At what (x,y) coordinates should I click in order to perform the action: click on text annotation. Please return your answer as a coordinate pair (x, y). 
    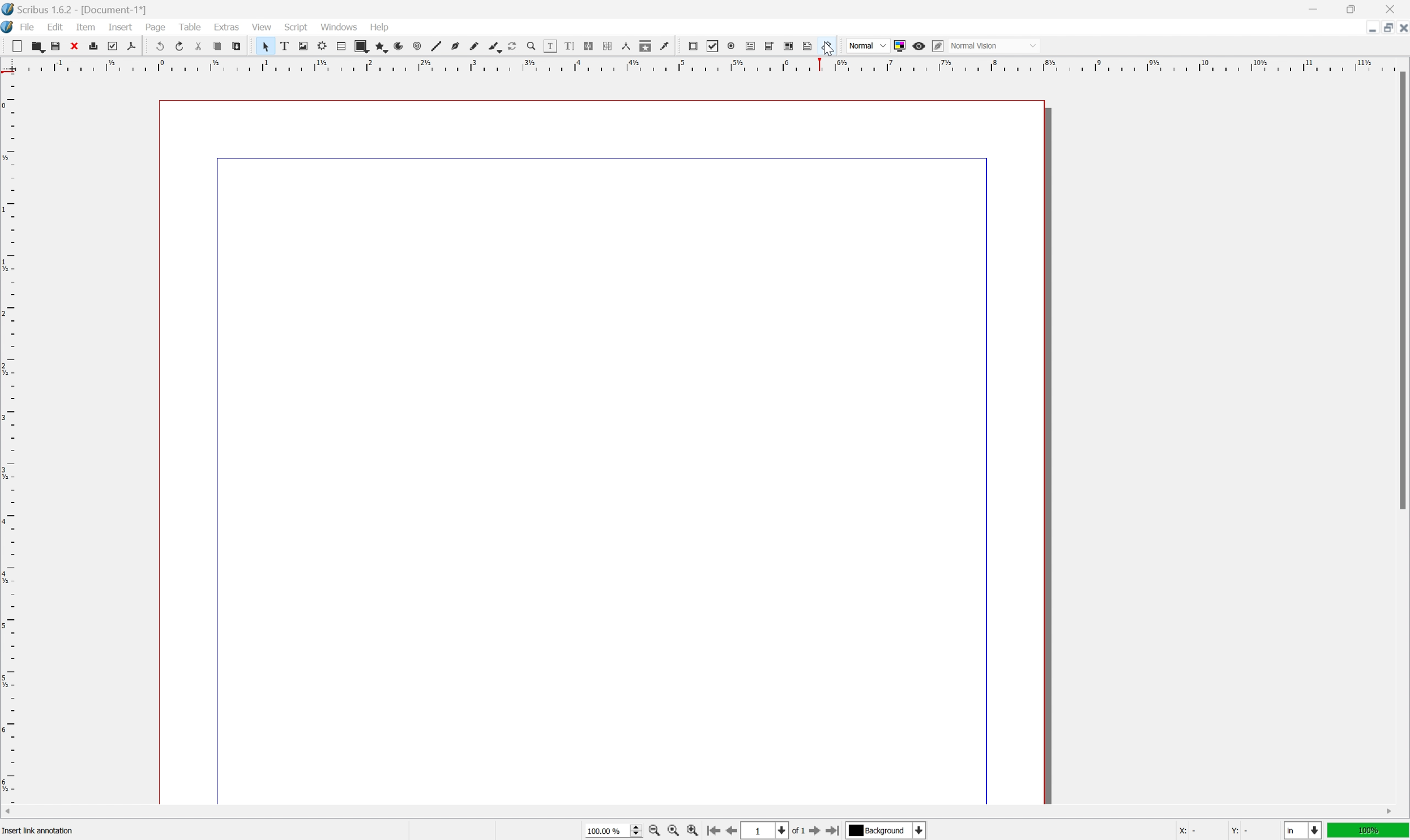
    Looking at the image, I should click on (808, 45).